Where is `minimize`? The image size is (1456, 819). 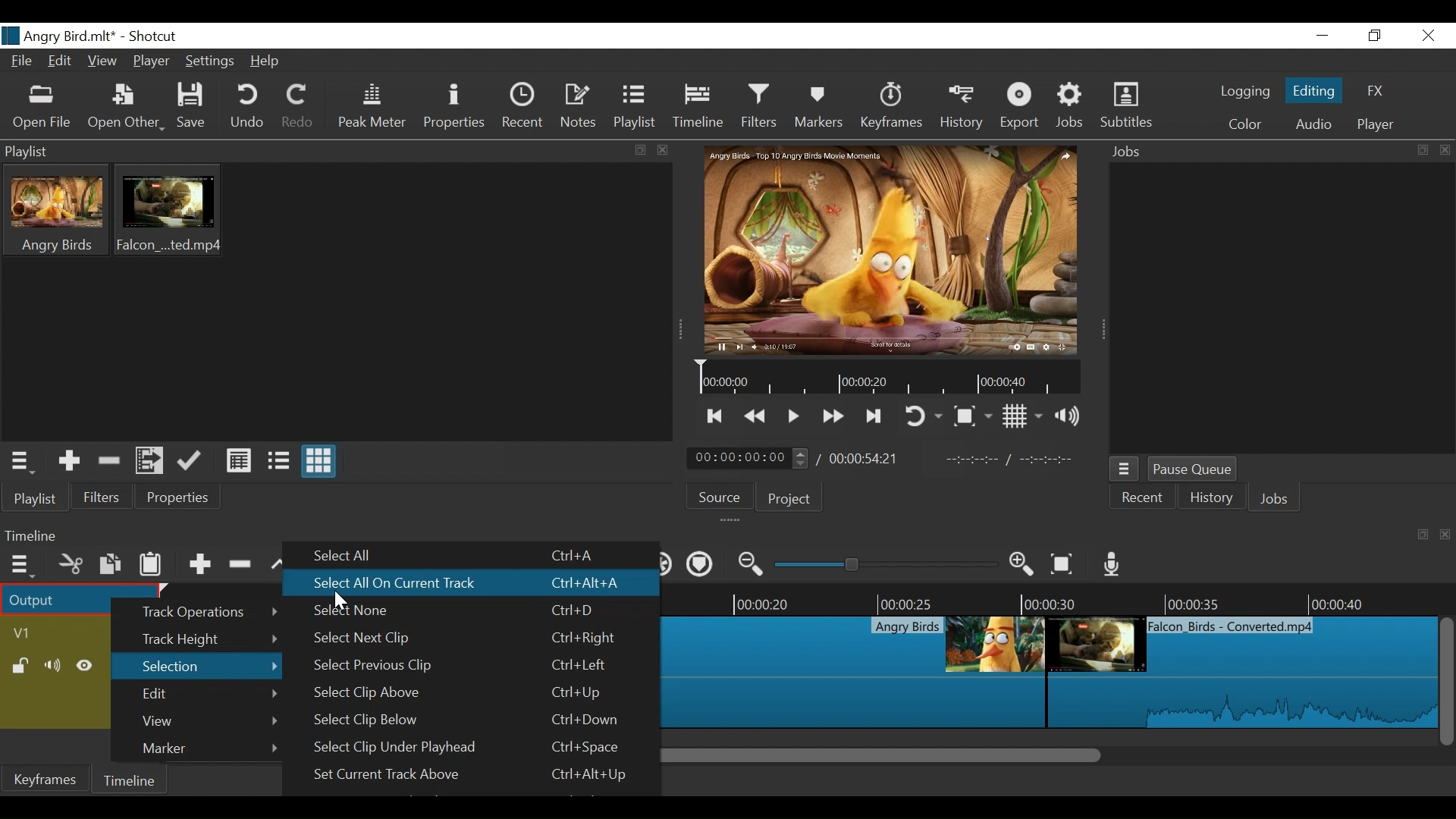 minimize is located at coordinates (1323, 36).